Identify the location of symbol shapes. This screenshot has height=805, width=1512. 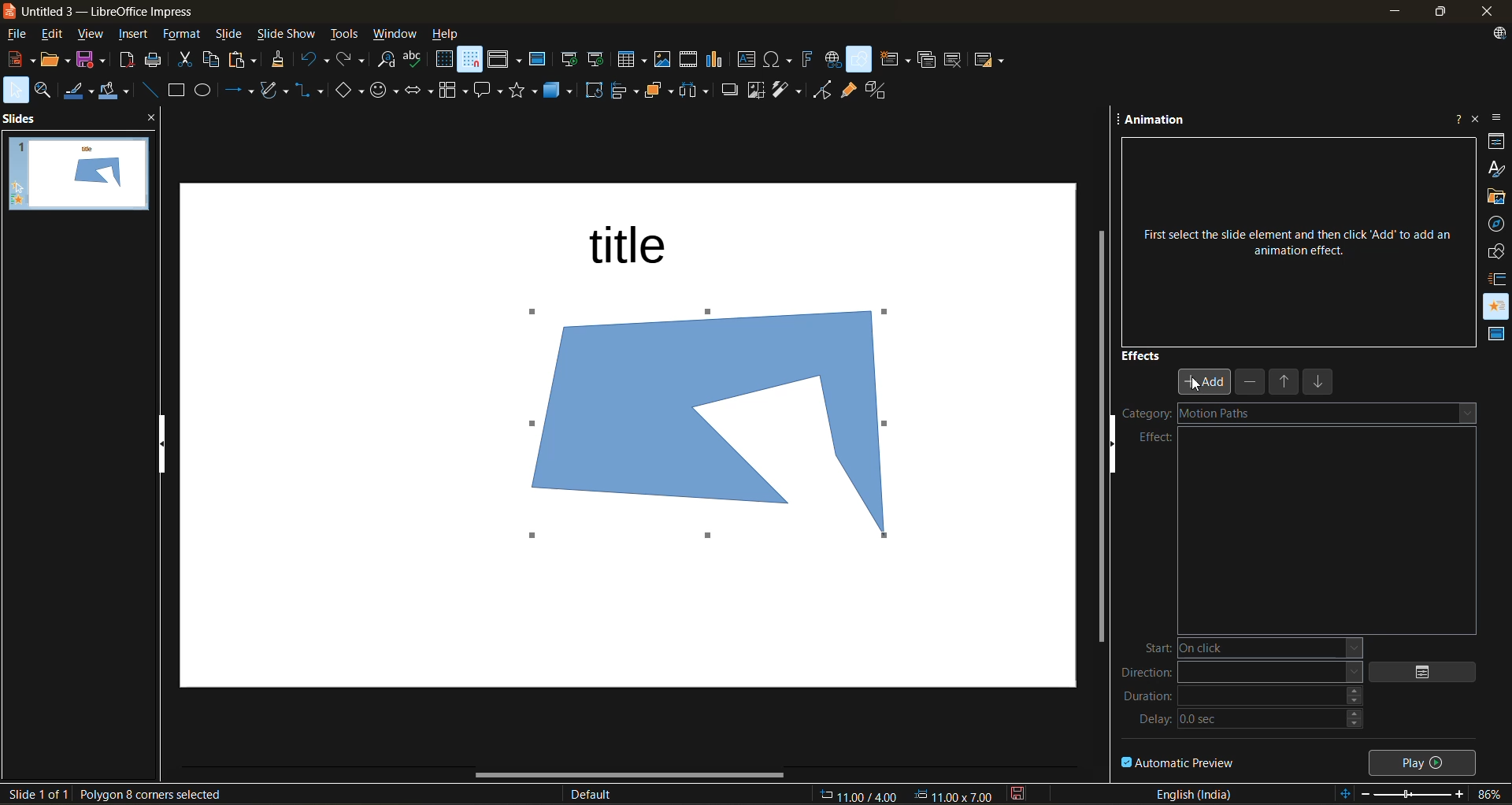
(385, 93).